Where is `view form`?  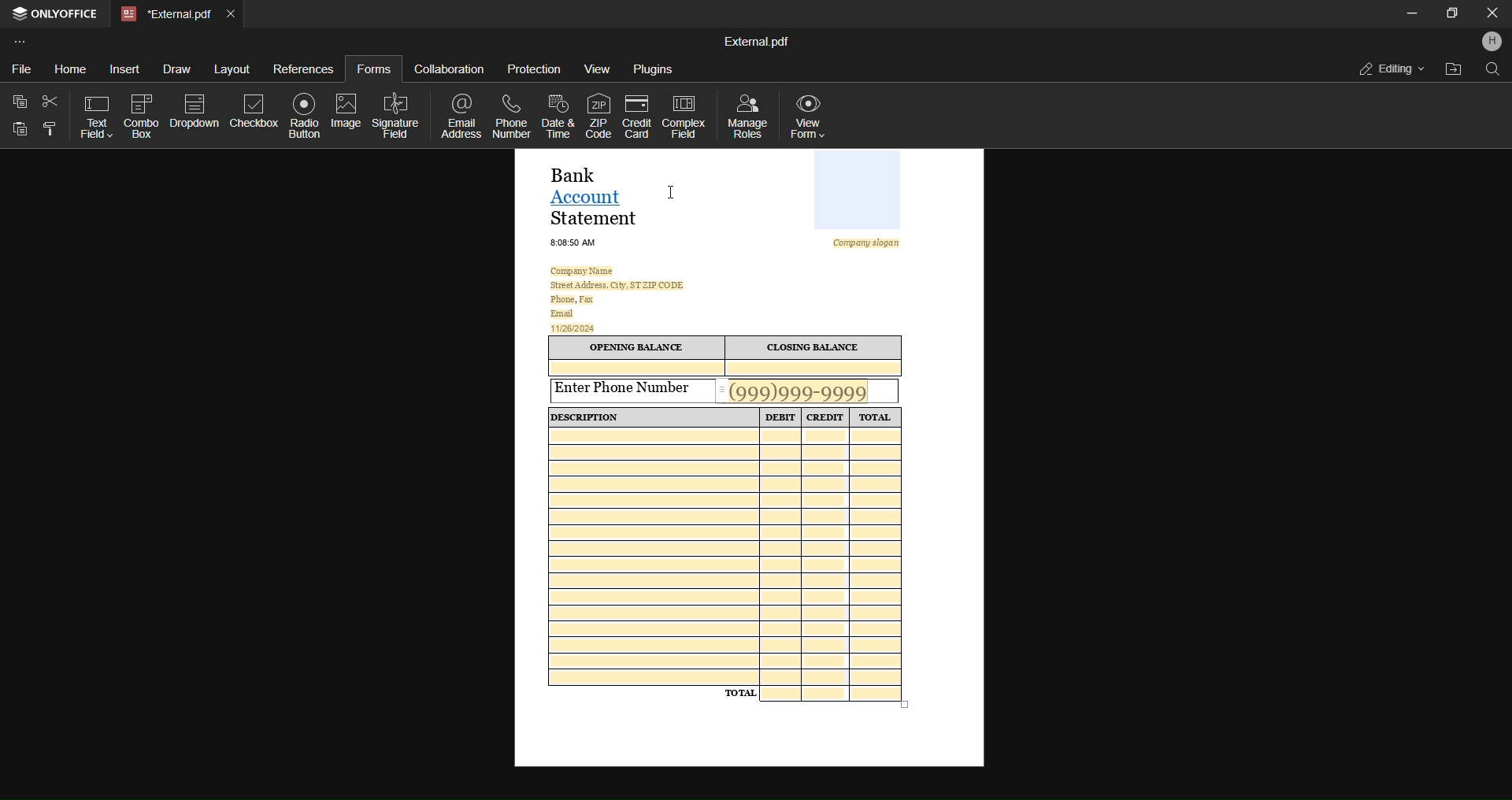 view form is located at coordinates (810, 117).